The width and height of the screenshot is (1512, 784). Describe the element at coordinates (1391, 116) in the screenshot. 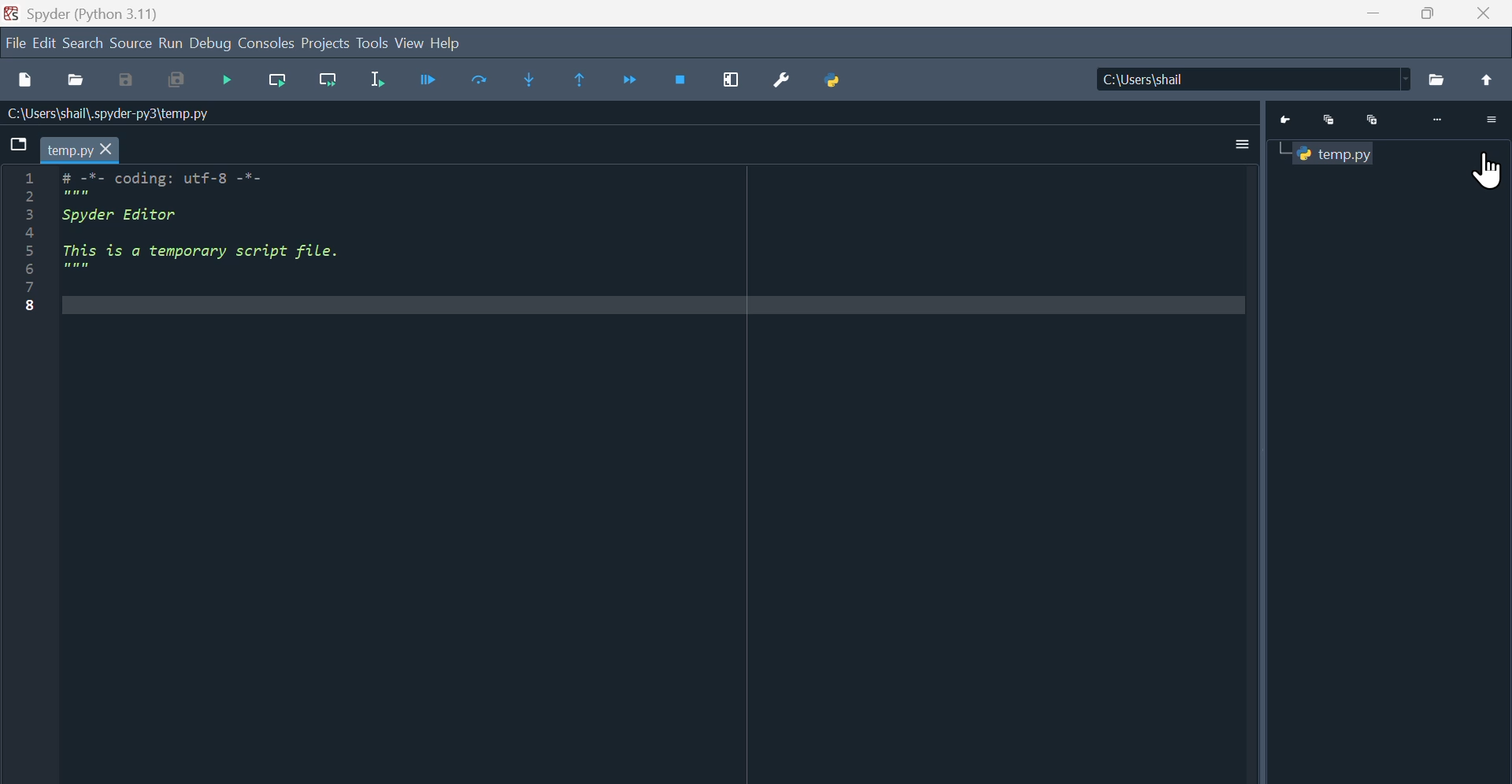

I see `Python console` at that location.